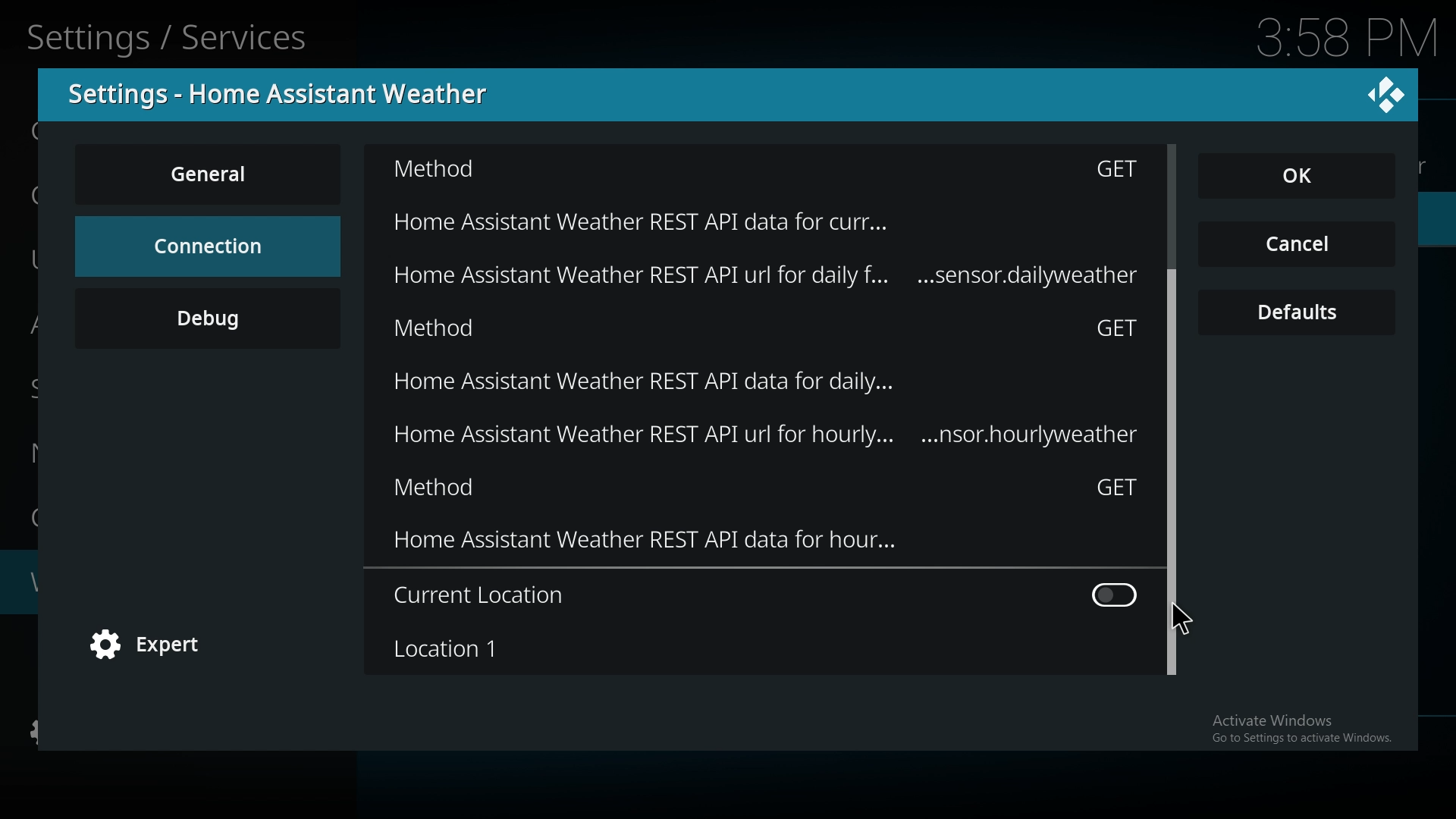 The height and width of the screenshot is (819, 1456). What do you see at coordinates (1183, 620) in the screenshot?
I see `cursor` at bounding box center [1183, 620].